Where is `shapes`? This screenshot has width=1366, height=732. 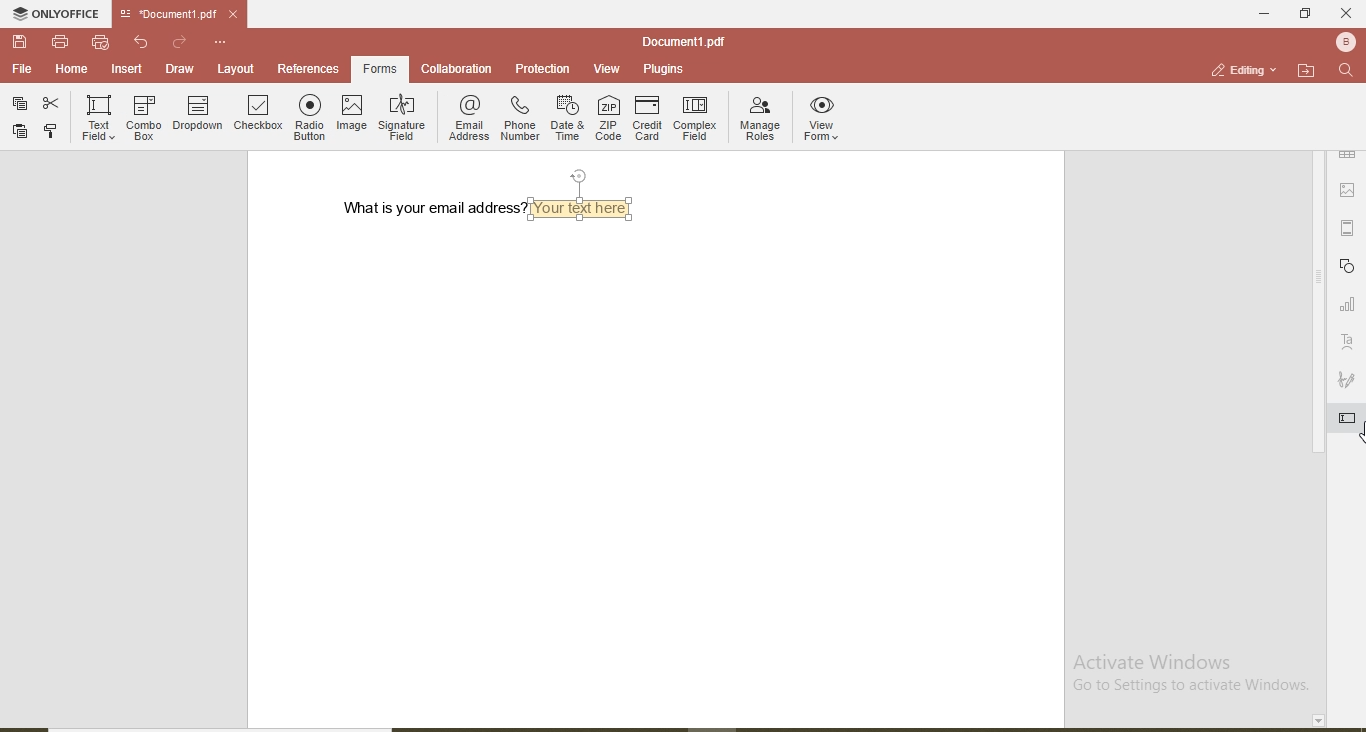 shapes is located at coordinates (1349, 267).